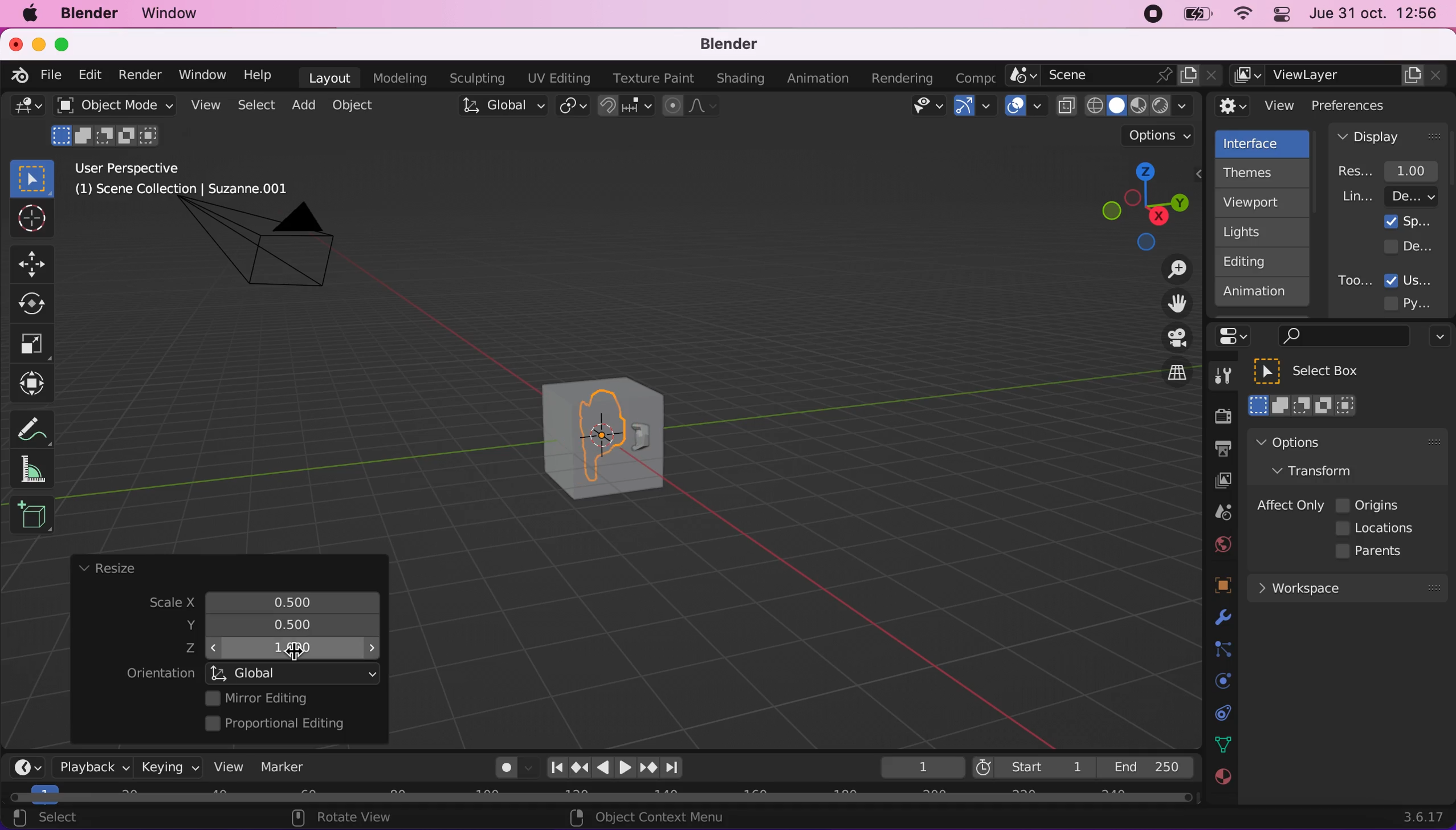 Image resolution: width=1456 pixels, height=830 pixels. Describe the element at coordinates (40, 469) in the screenshot. I see `measure` at that location.